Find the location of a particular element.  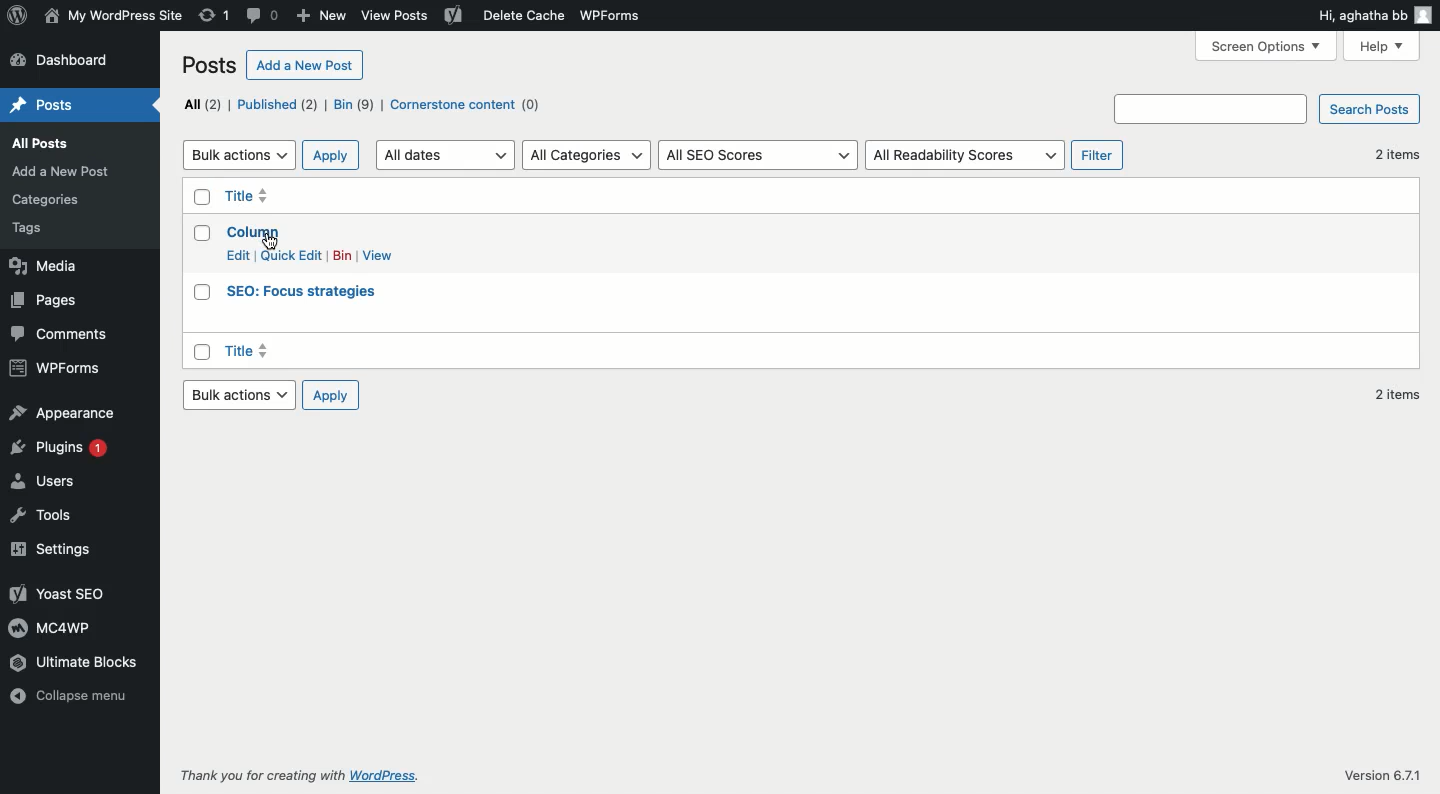

Media is located at coordinates (53, 268).